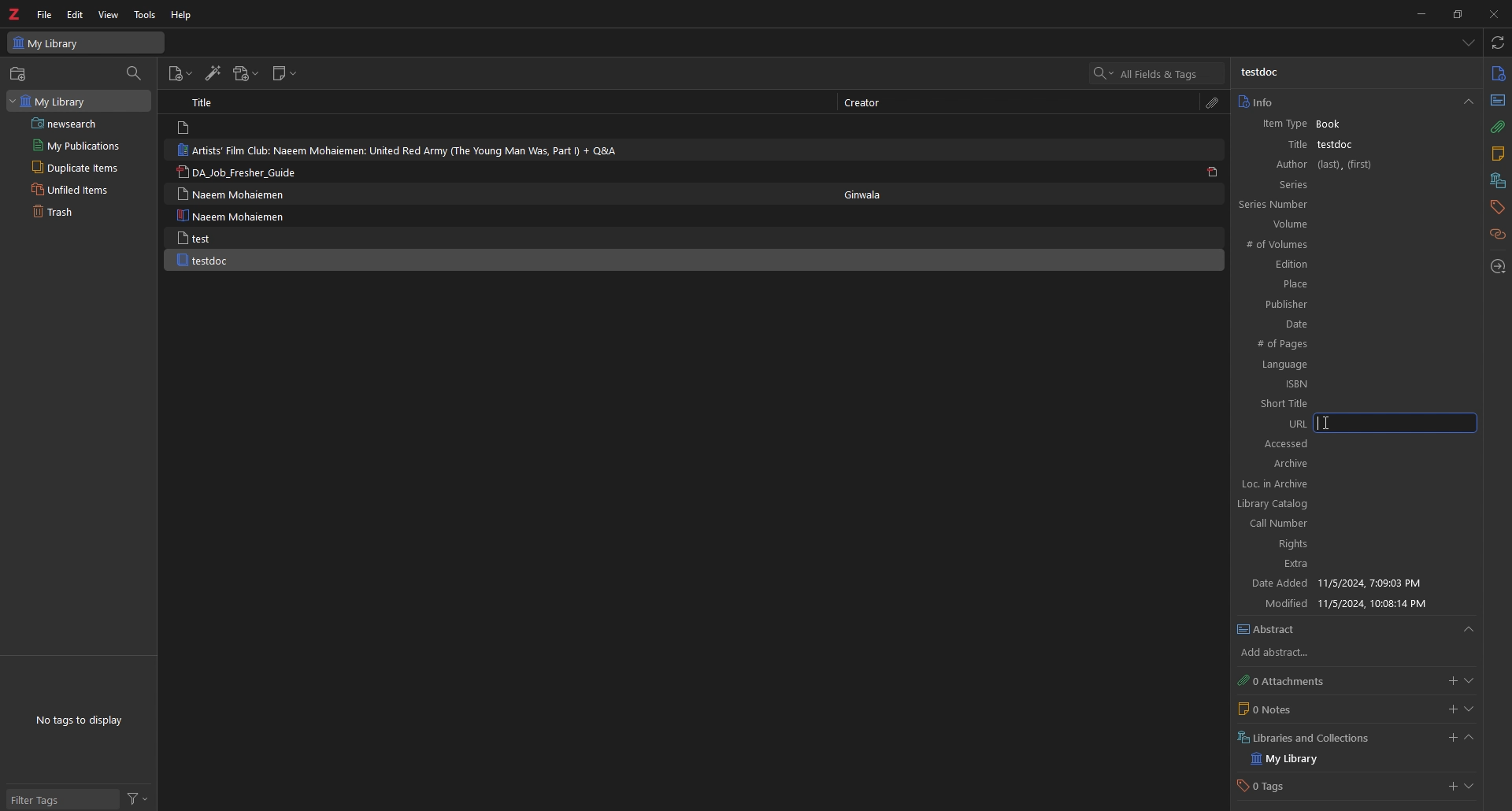 The image size is (1512, 811). I want to click on Modified 11/5/2024 10:08:14 PM, so click(1354, 604).